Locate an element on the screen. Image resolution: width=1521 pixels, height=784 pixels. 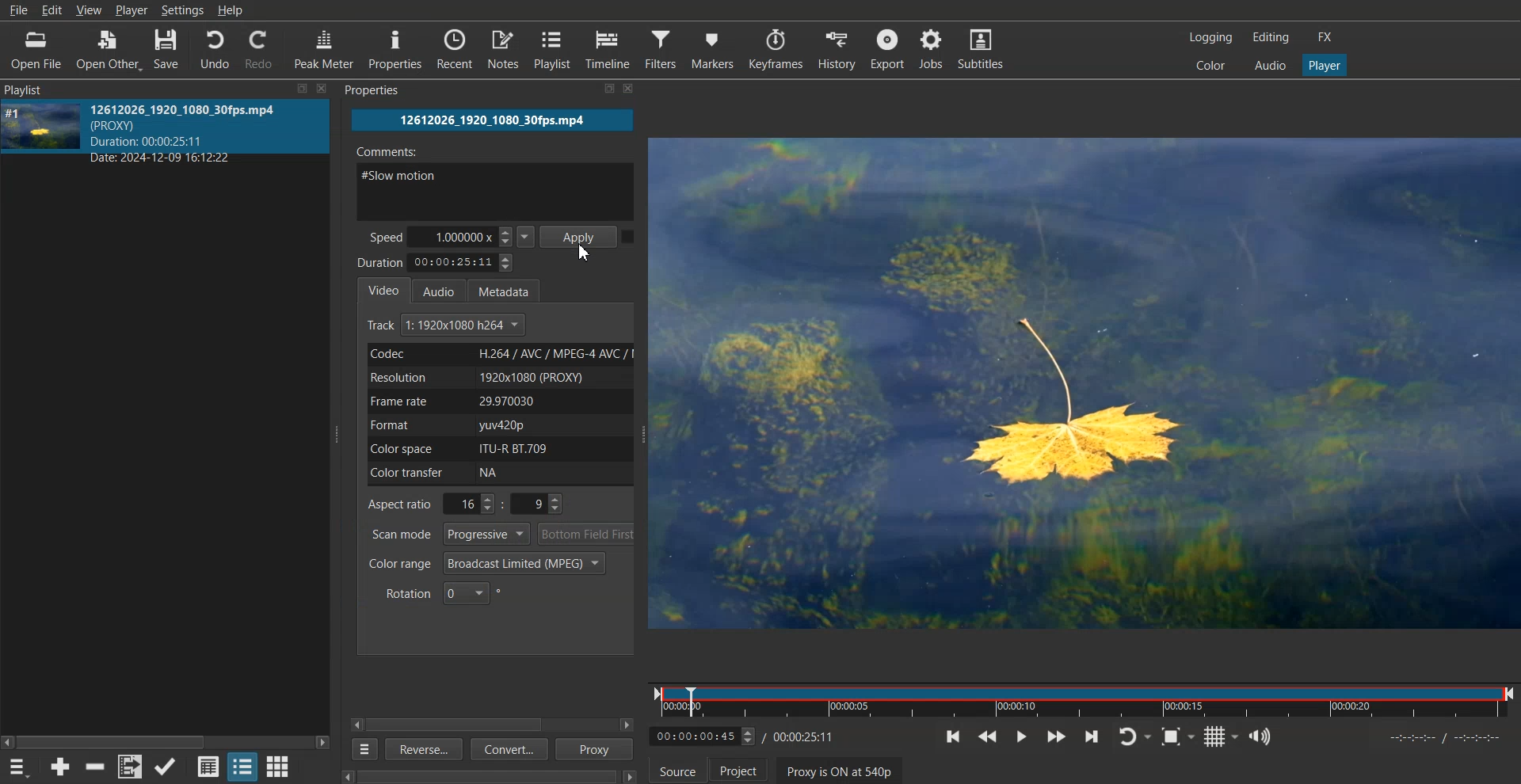
Markers is located at coordinates (713, 48).